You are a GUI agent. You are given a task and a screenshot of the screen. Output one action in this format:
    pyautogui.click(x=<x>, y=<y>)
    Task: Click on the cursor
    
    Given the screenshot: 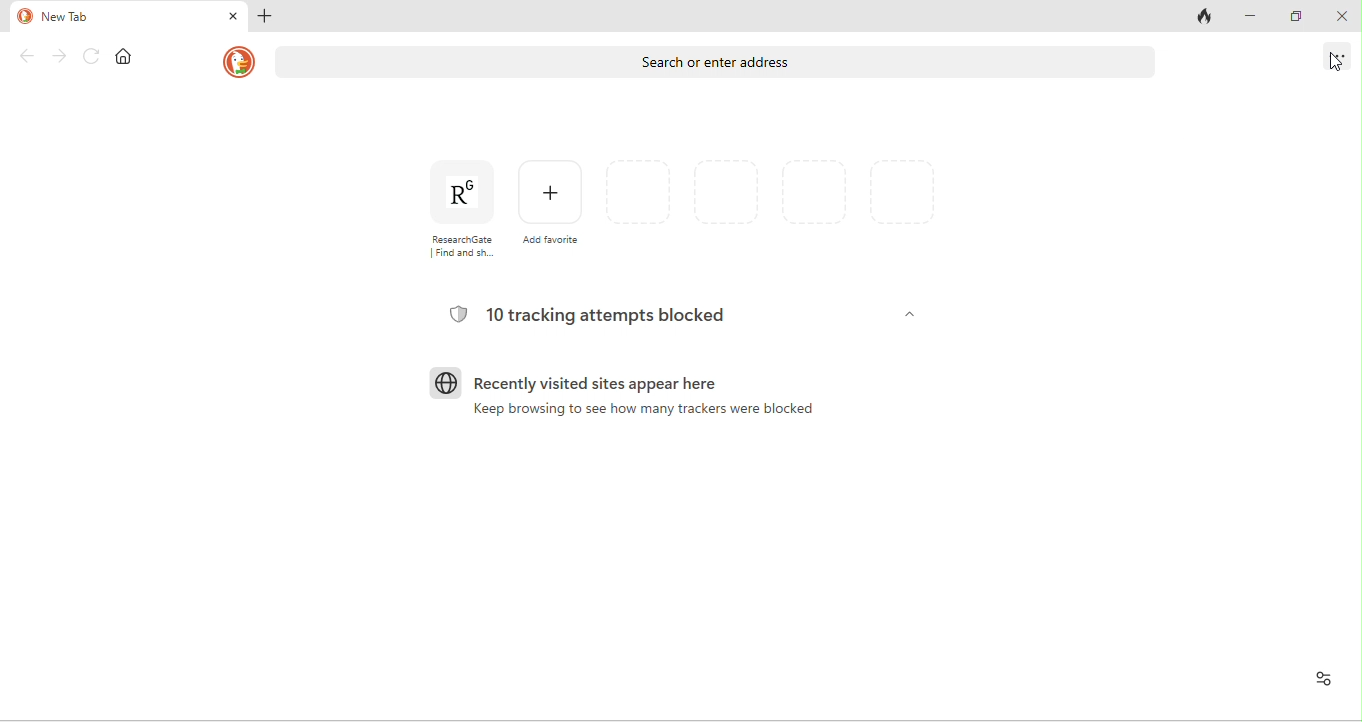 What is the action you would take?
    pyautogui.click(x=1336, y=65)
    